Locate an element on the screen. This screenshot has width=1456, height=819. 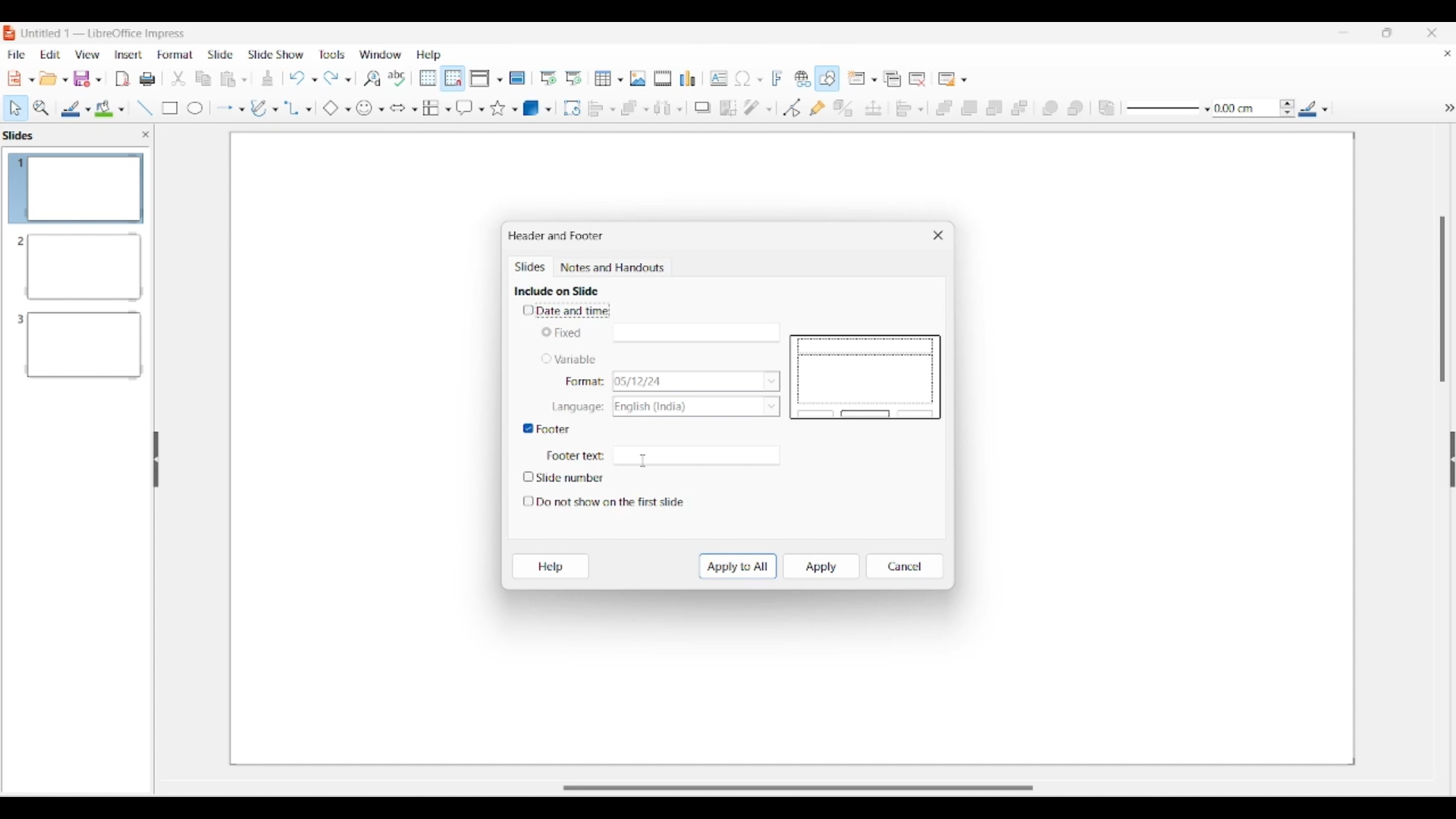
New slide options is located at coordinates (862, 78).